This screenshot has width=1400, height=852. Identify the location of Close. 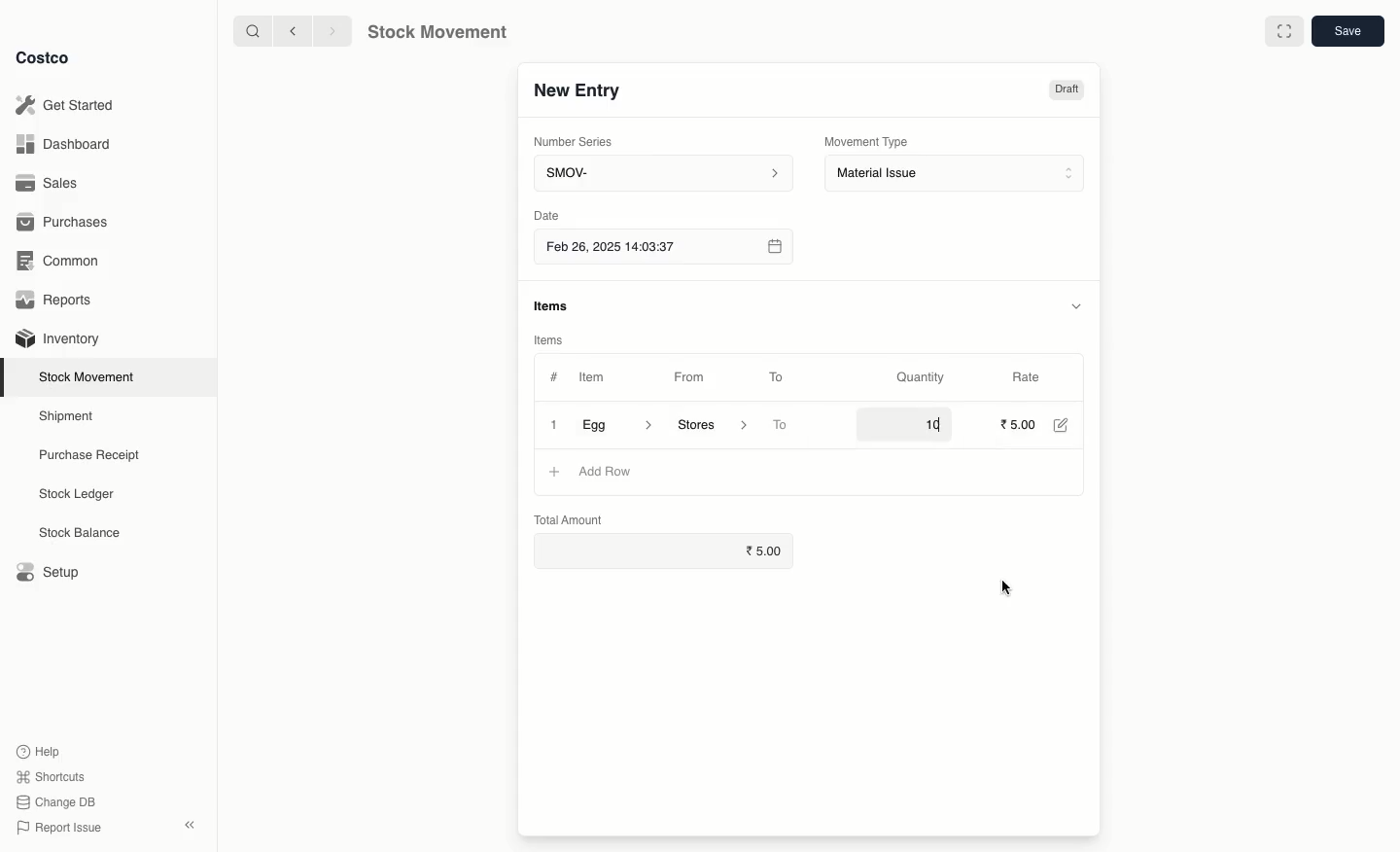
(552, 426).